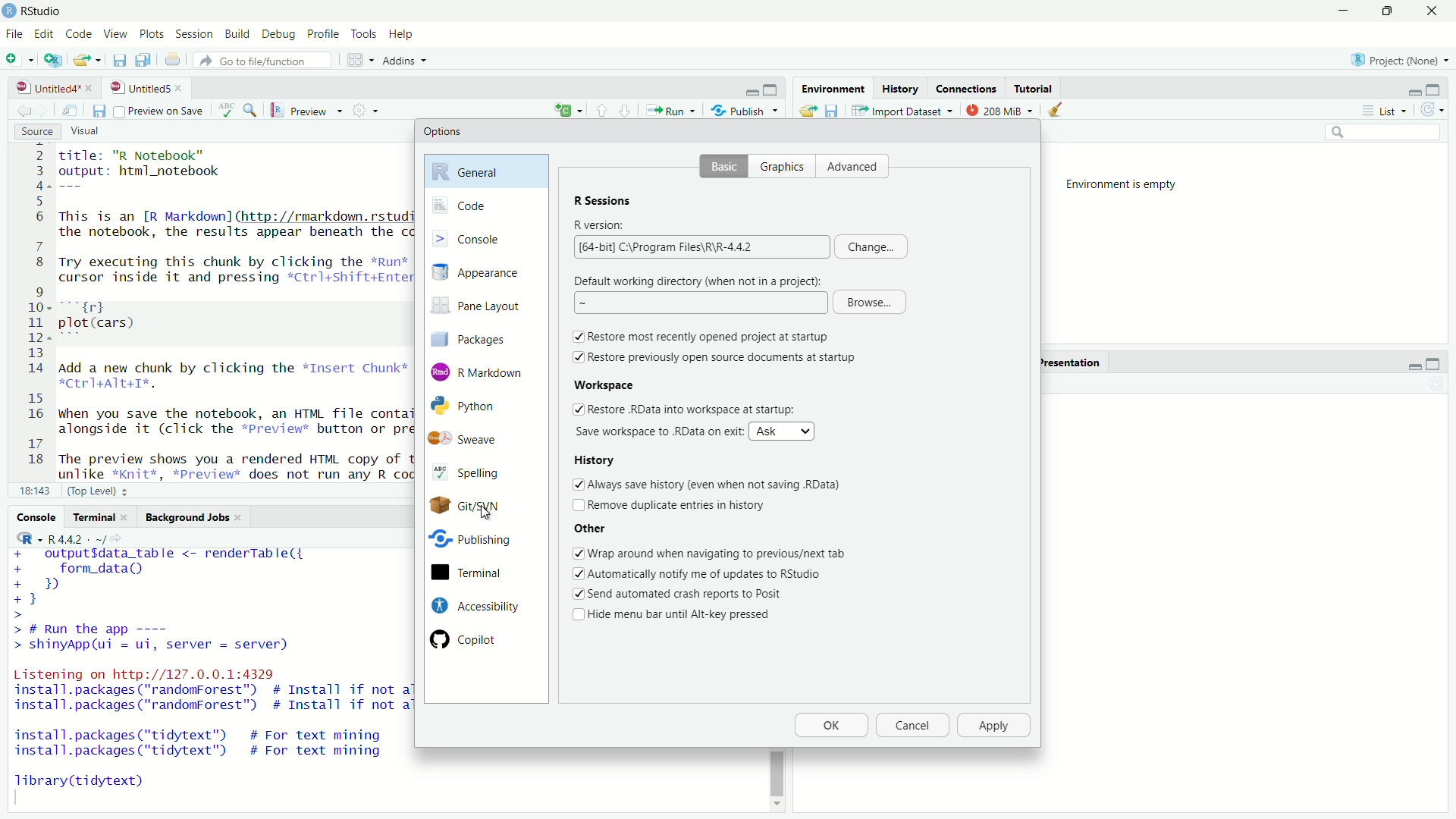 The width and height of the screenshot is (1456, 819). What do you see at coordinates (485, 237) in the screenshot?
I see ` Console` at bounding box center [485, 237].